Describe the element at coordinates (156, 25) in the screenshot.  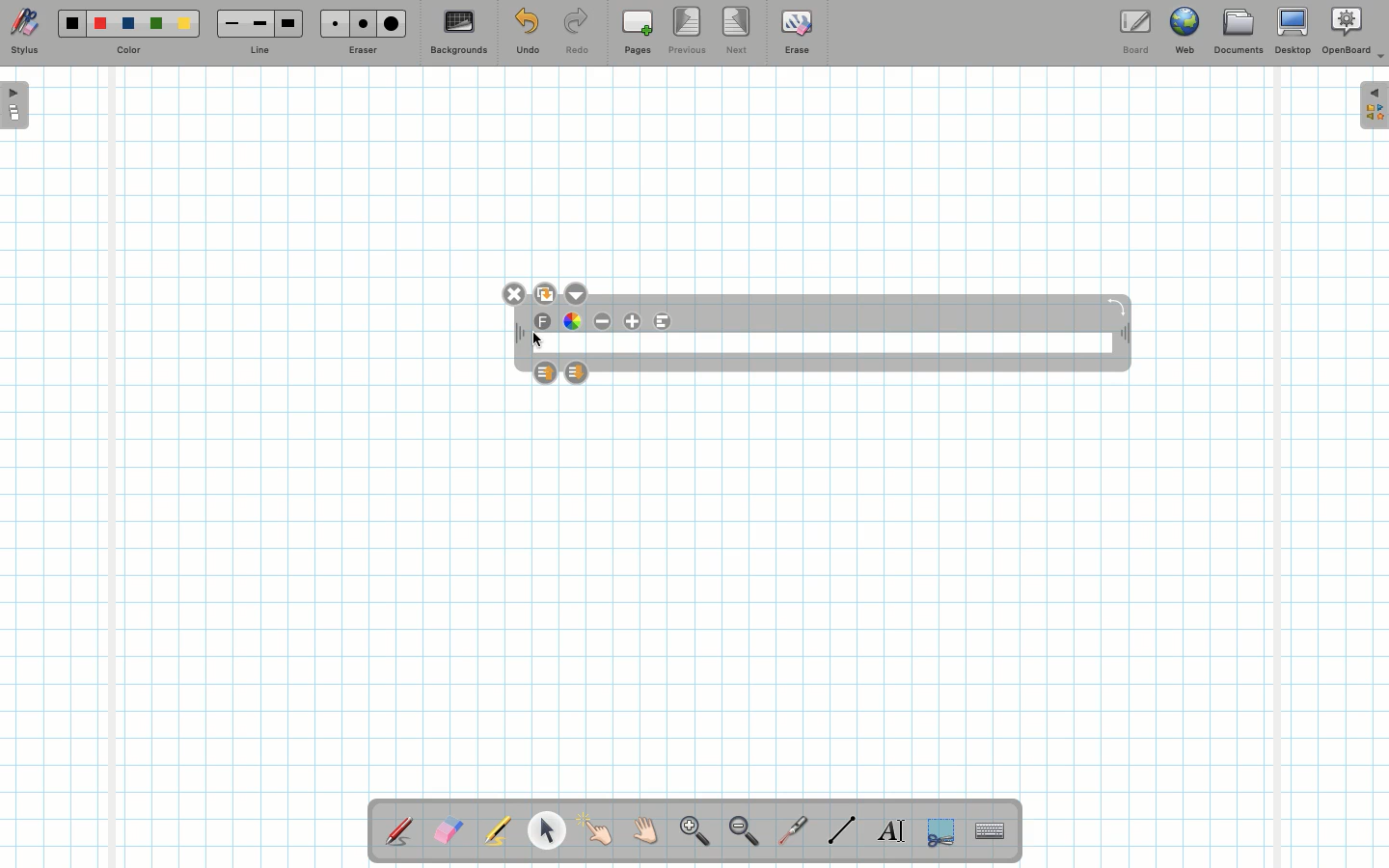
I see `Green` at that location.